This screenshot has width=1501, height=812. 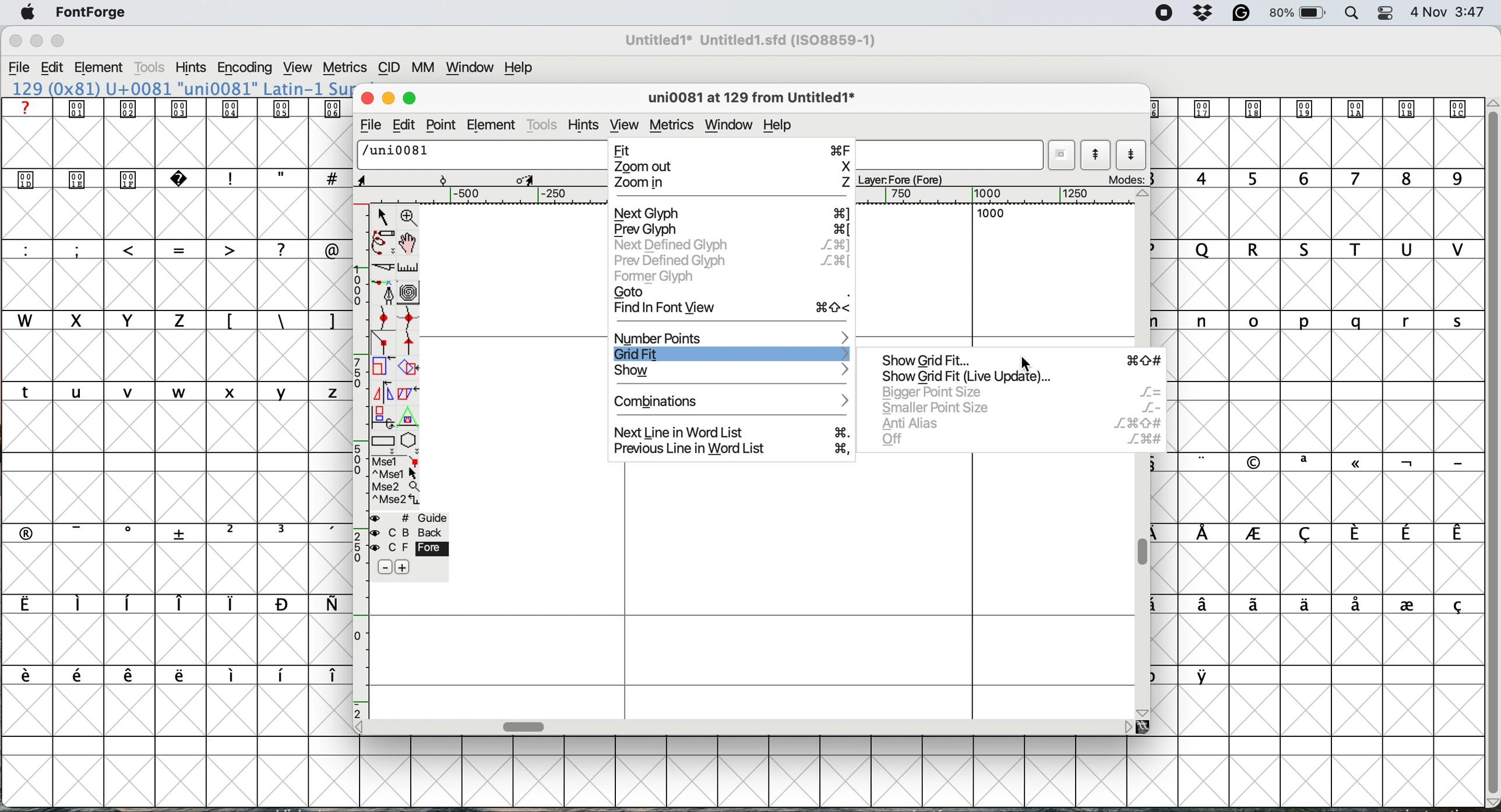 I want to click on Scroll Button, so click(x=361, y=728).